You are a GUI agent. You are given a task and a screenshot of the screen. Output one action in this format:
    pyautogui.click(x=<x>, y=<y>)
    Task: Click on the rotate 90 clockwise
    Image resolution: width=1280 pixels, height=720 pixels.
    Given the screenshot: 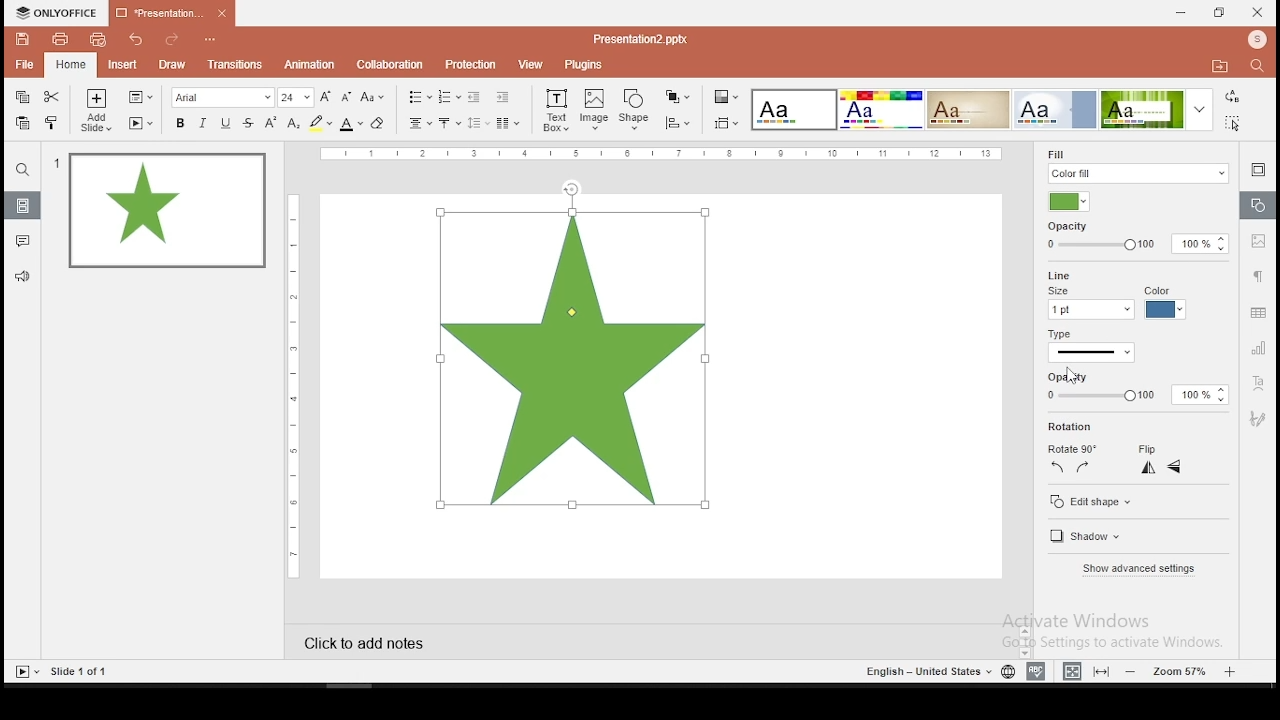 What is the action you would take?
    pyautogui.click(x=1083, y=467)
    